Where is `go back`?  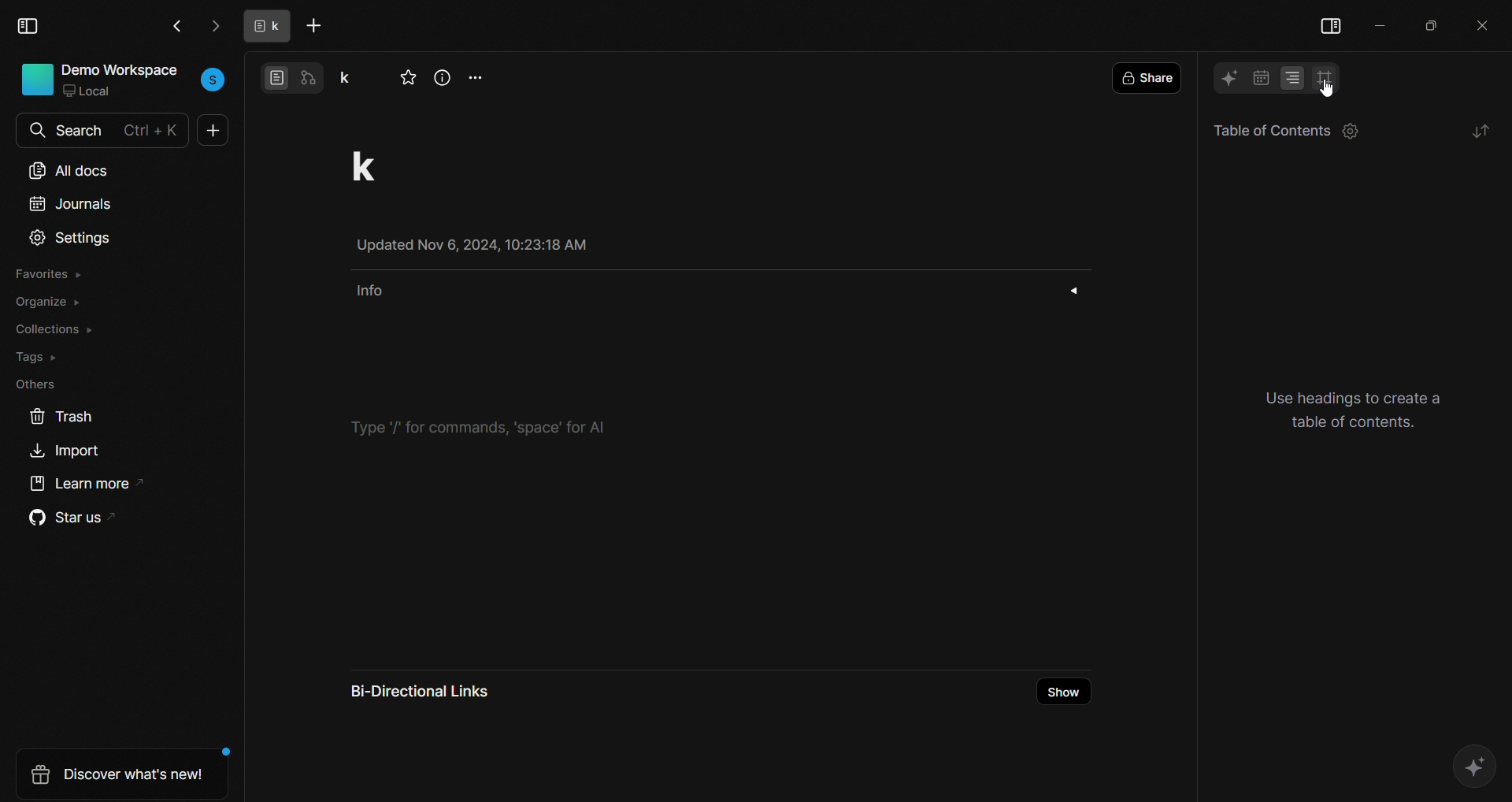 go back is located at coordinates (176, 25).